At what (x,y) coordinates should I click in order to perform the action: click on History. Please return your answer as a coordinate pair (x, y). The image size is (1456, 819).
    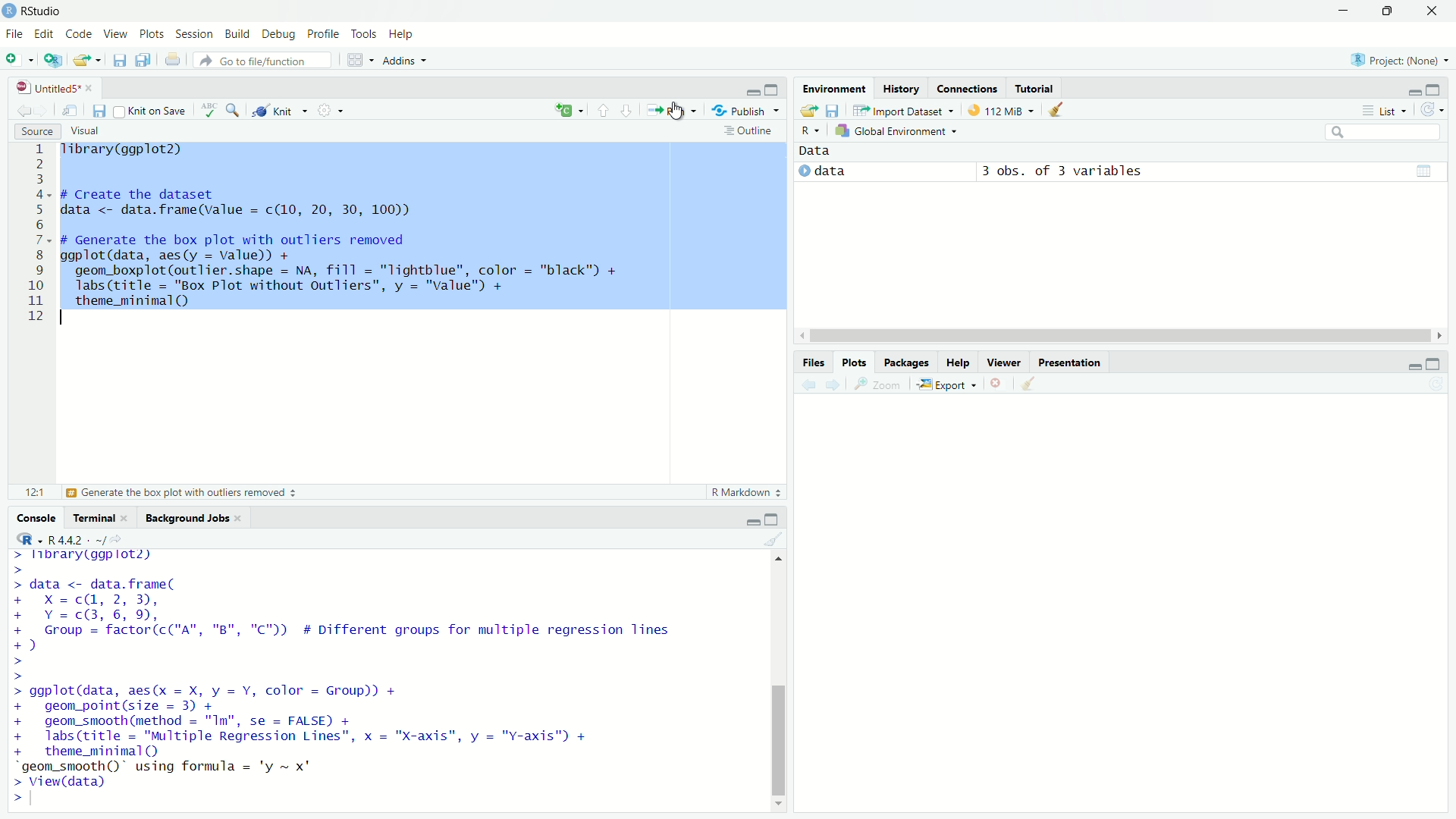
    Looking at the image, I should click on (903, 86).